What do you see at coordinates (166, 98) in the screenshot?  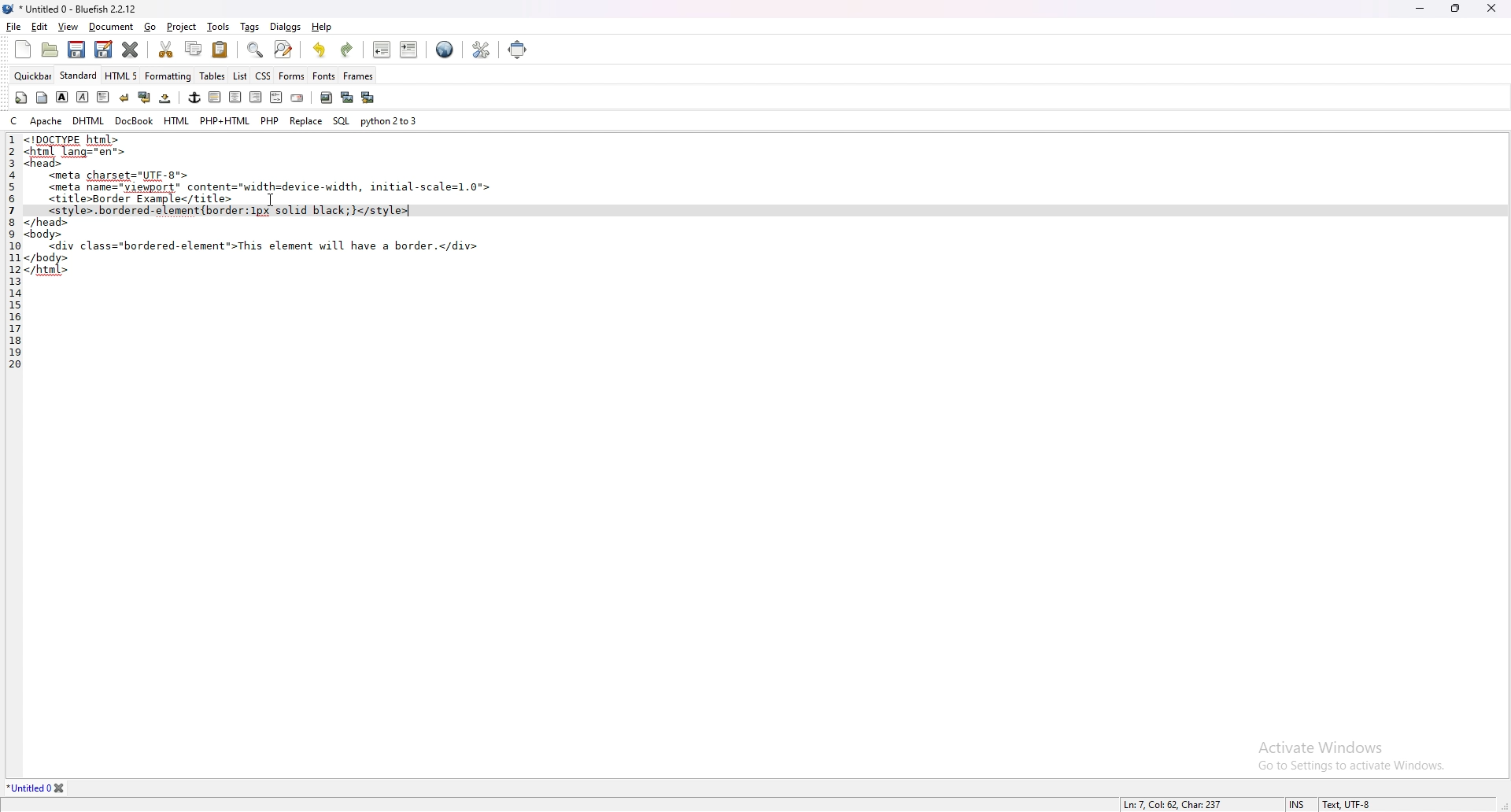 I see `non breaking space` at bounding box center [166, 98].